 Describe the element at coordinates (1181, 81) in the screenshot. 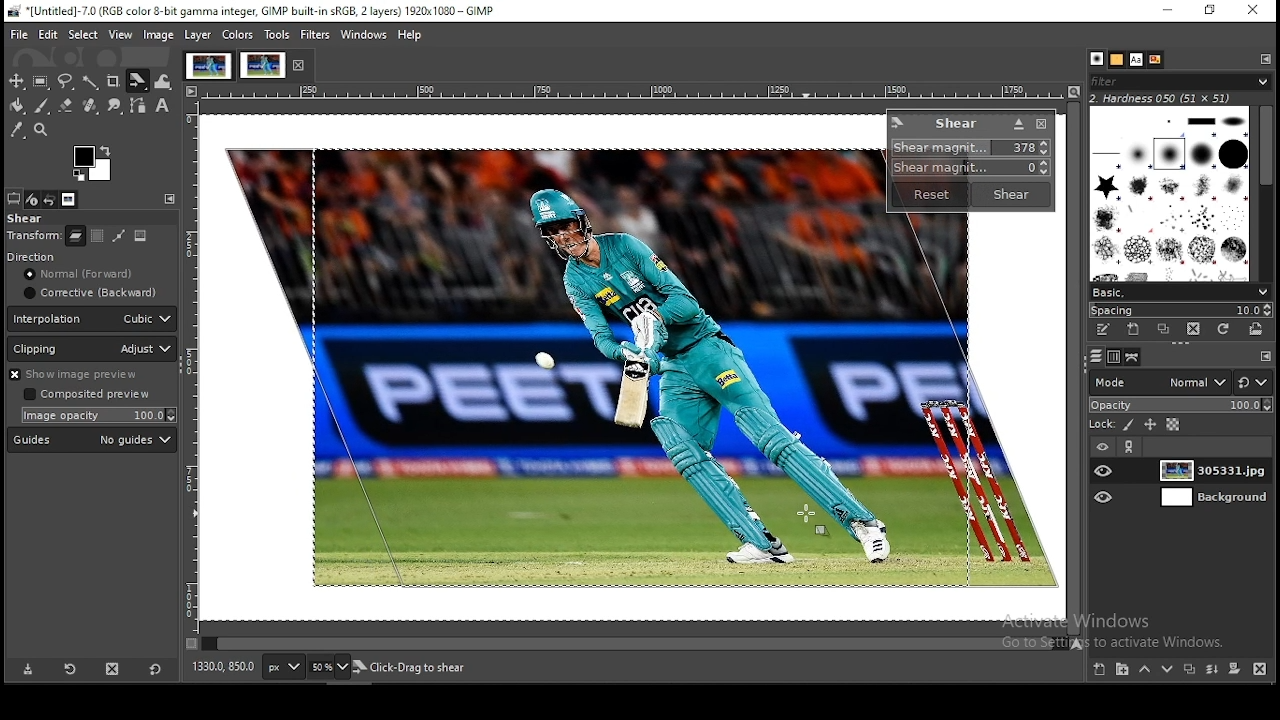

I see `filter` at that location.